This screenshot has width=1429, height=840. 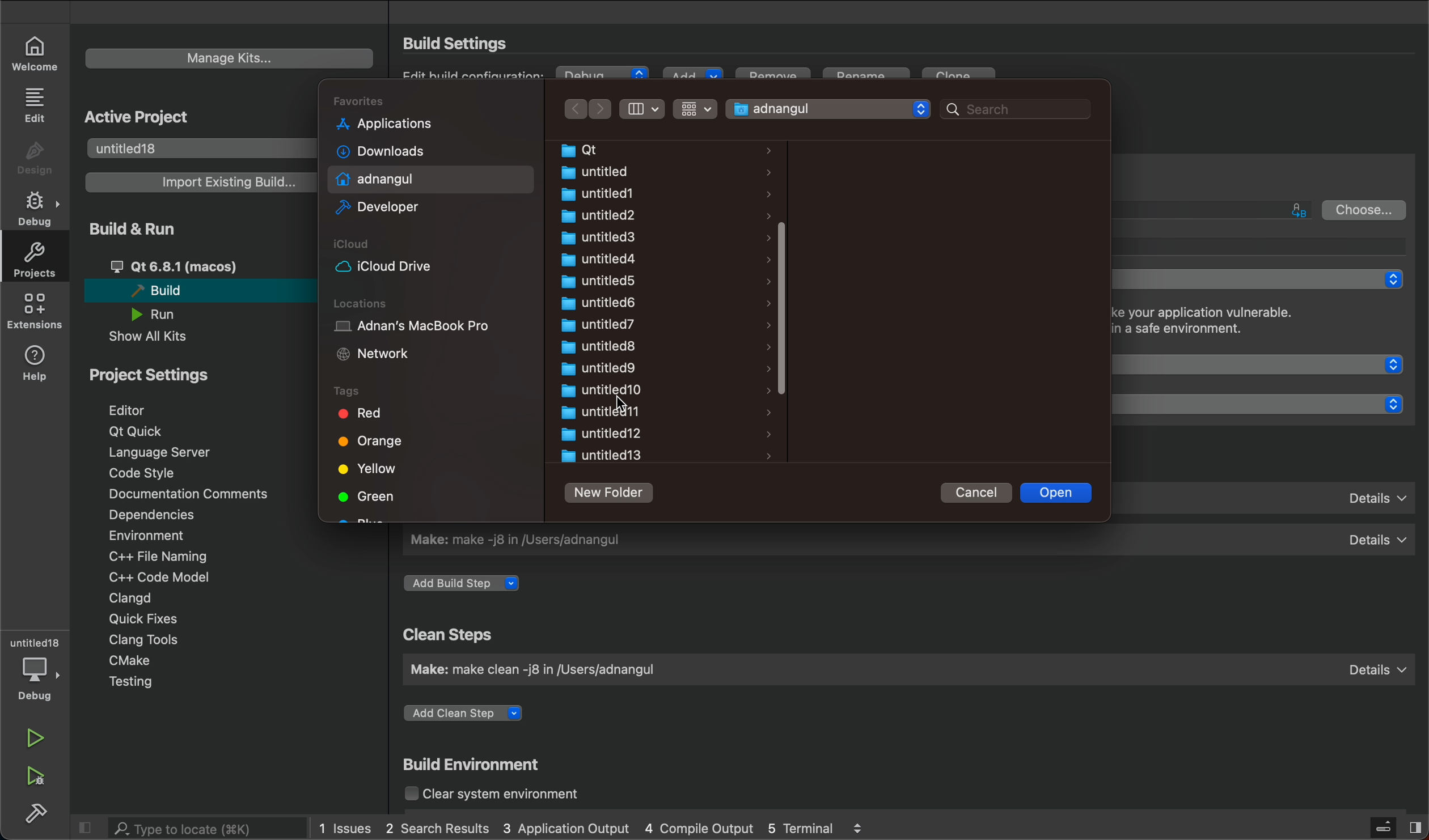 What do you see at coordinates (1059, 493) in the screenshot?
I see `open` at bounding box center [1059, 493].